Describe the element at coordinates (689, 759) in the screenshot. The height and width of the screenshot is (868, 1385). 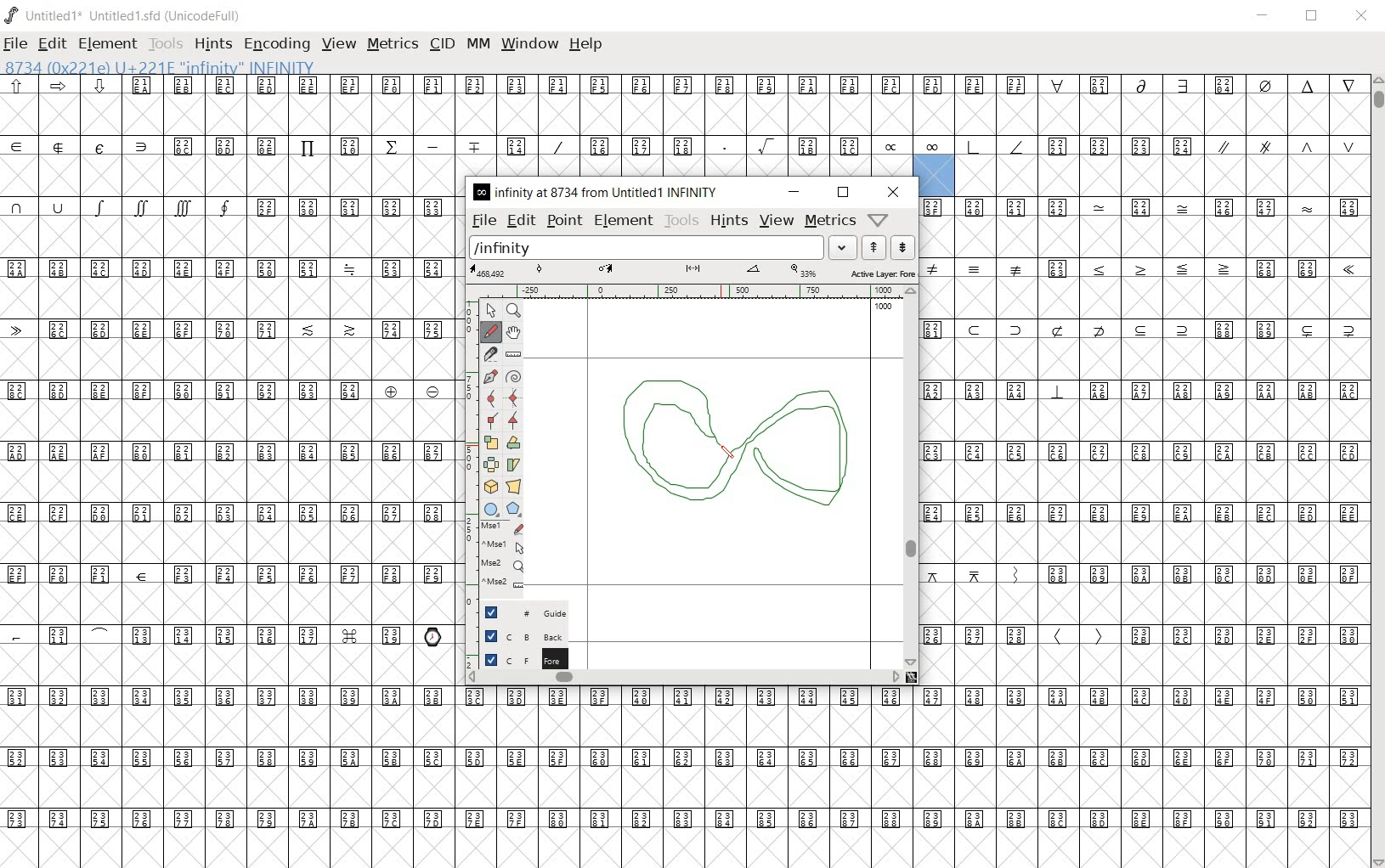
I see `Unicode code points` at that location.